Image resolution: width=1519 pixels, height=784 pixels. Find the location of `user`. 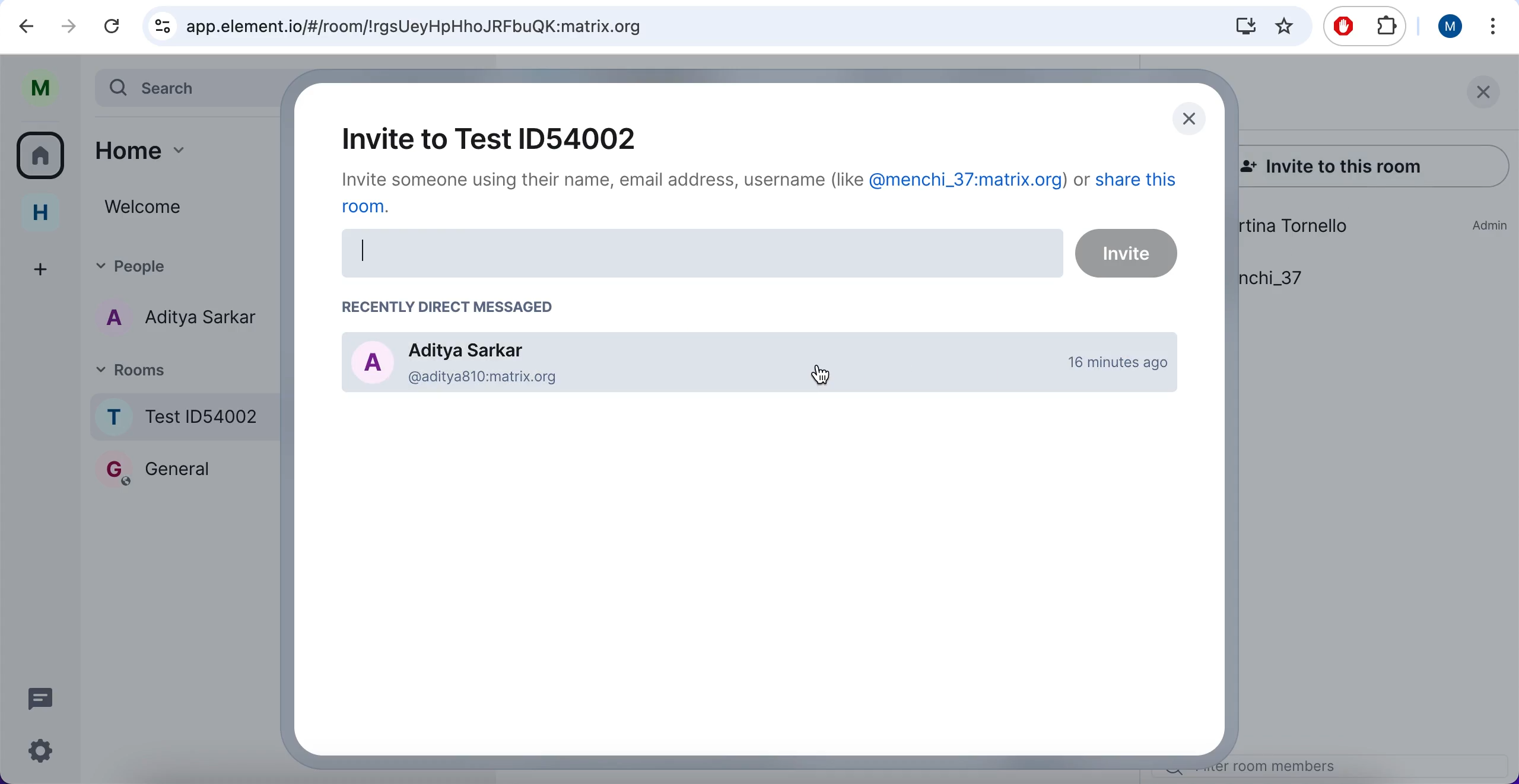

user is located at coordinates (46, 88).